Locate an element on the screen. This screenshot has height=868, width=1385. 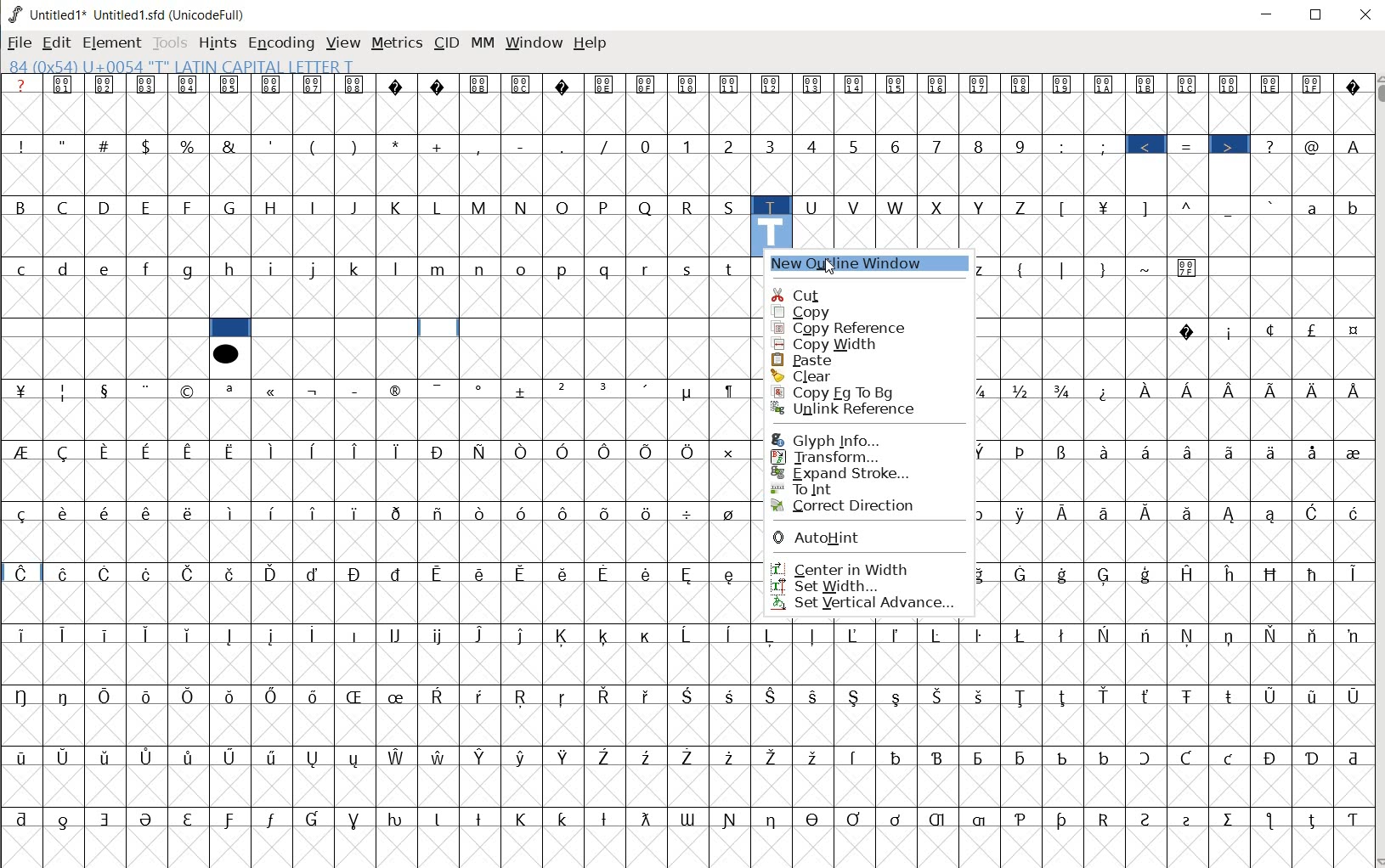
encoding is located at coordinates (280, 44).